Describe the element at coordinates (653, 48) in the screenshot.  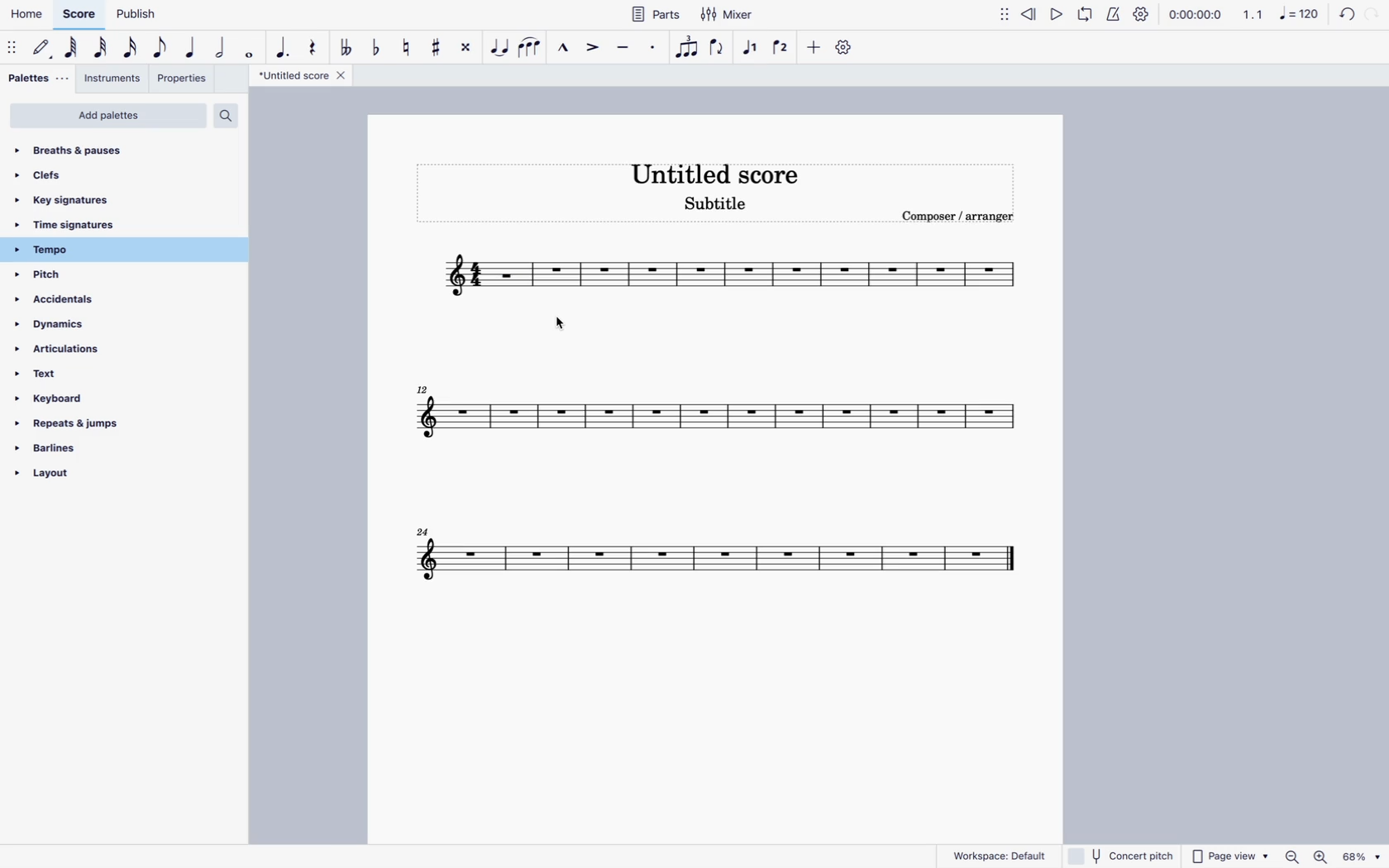
I see `staccato` at that location.